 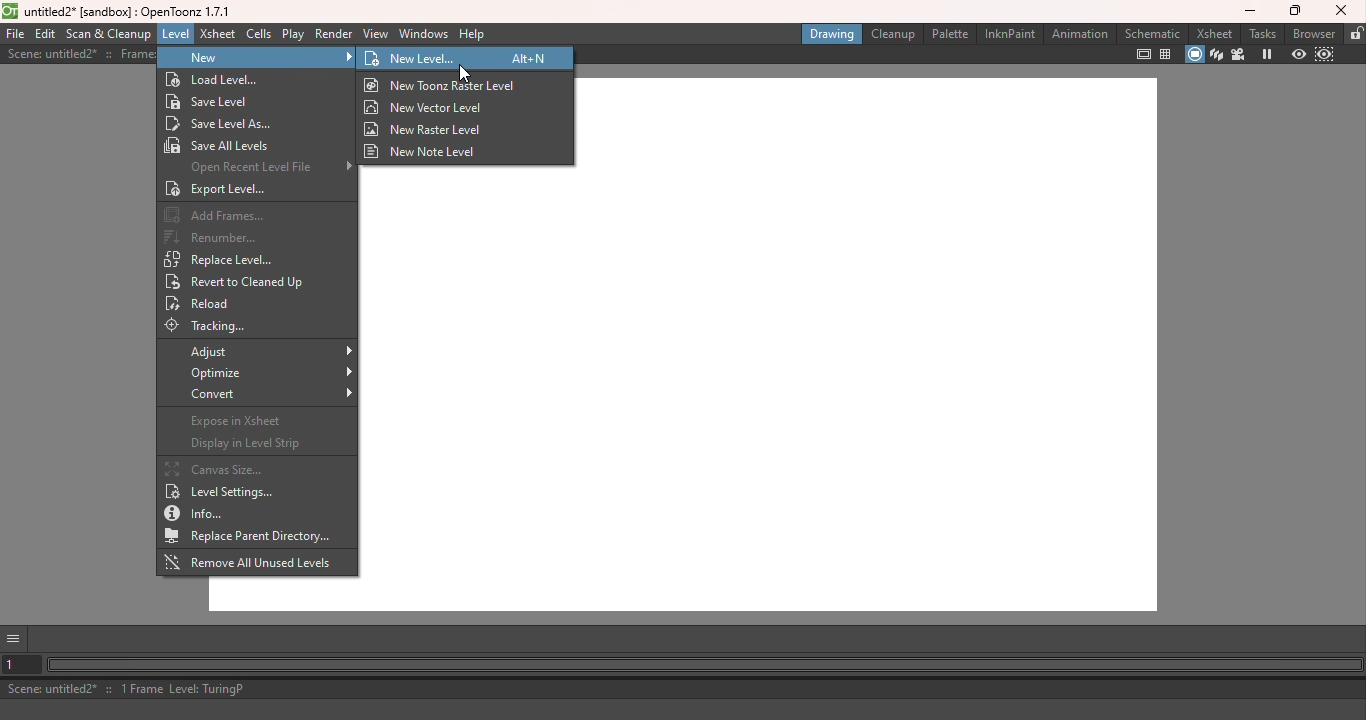 I want to click on Sub-camera preview, so click(x=1326, y=55).